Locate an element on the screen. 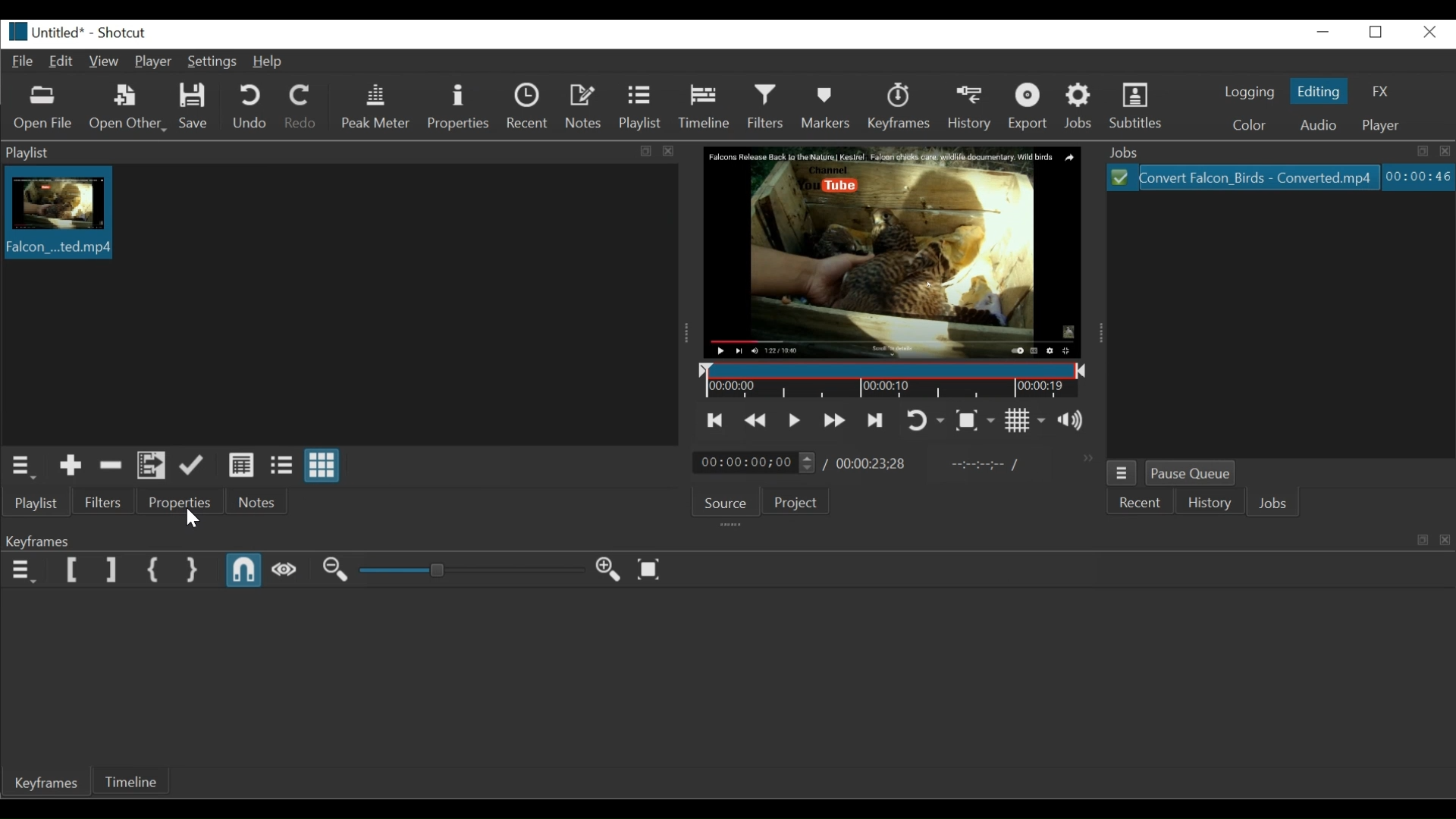  Audio is located at coordinates (1318, 126).